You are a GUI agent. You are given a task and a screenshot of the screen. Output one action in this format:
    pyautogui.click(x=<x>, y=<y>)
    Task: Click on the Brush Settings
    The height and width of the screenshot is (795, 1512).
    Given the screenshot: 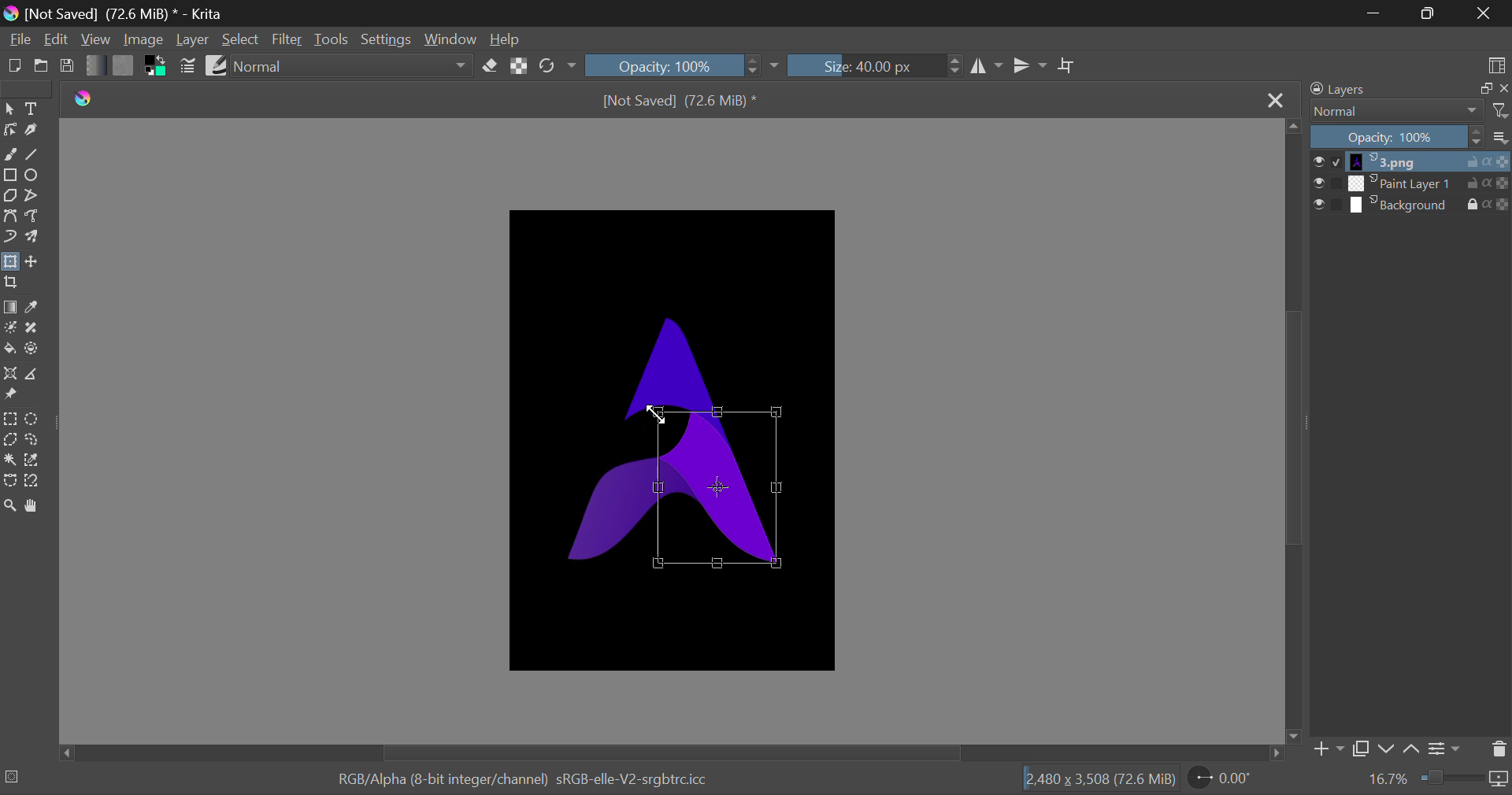 What is the action you would take?
    pyautogui.click(x=189, y=68)
    